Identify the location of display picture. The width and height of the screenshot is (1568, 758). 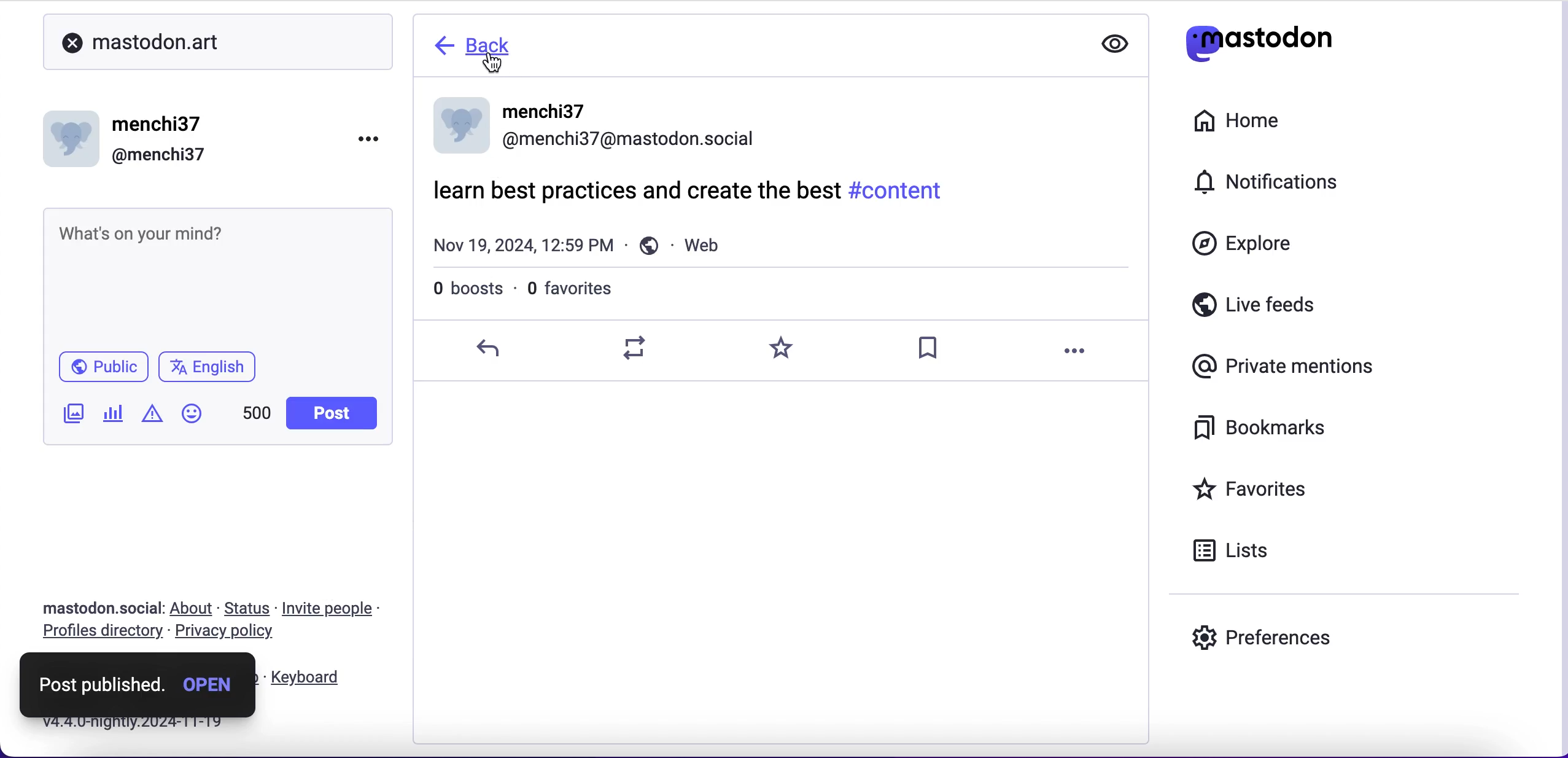
(458, 127).